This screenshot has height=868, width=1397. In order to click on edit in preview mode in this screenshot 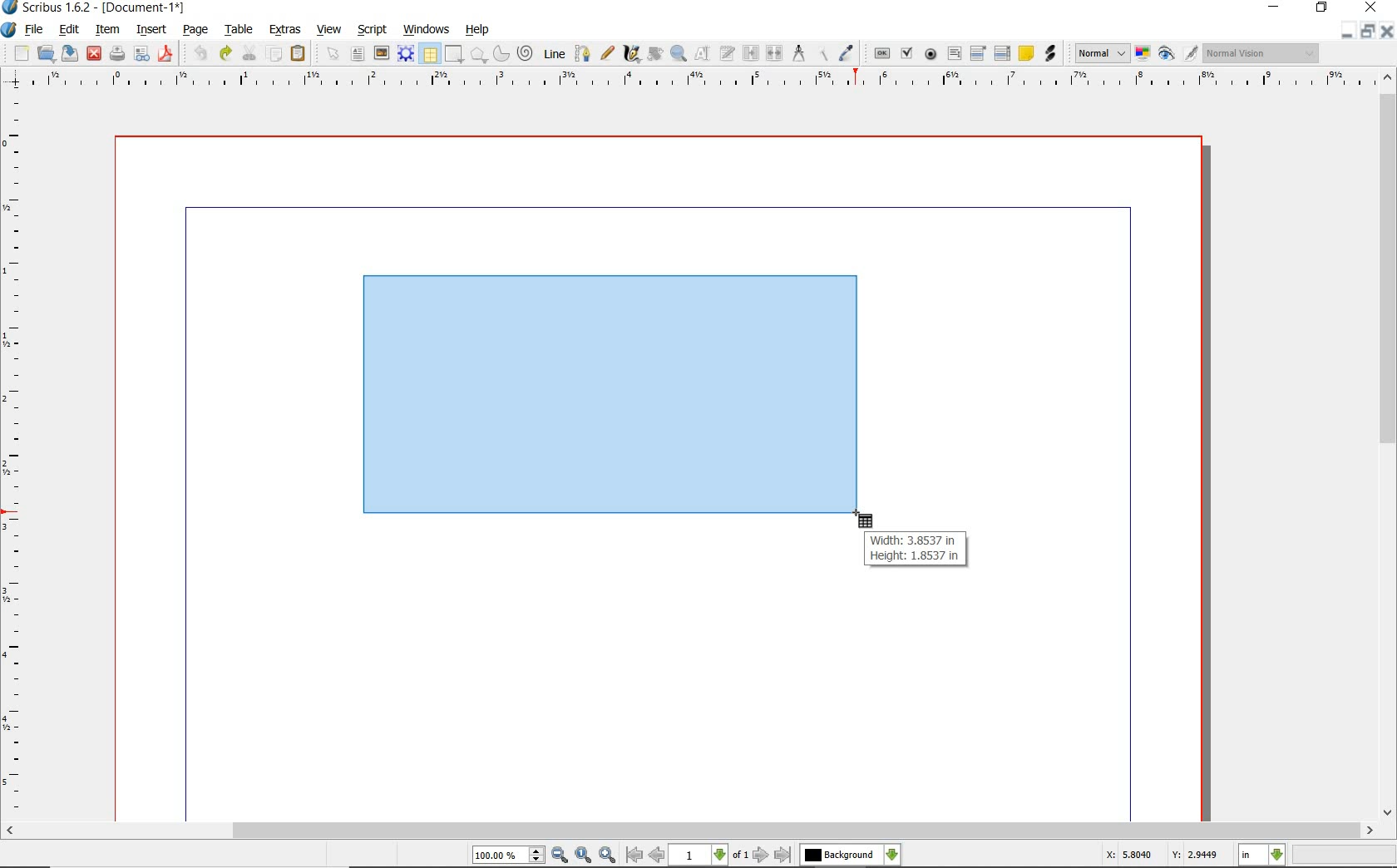, I will do `click(1190, 54)`.